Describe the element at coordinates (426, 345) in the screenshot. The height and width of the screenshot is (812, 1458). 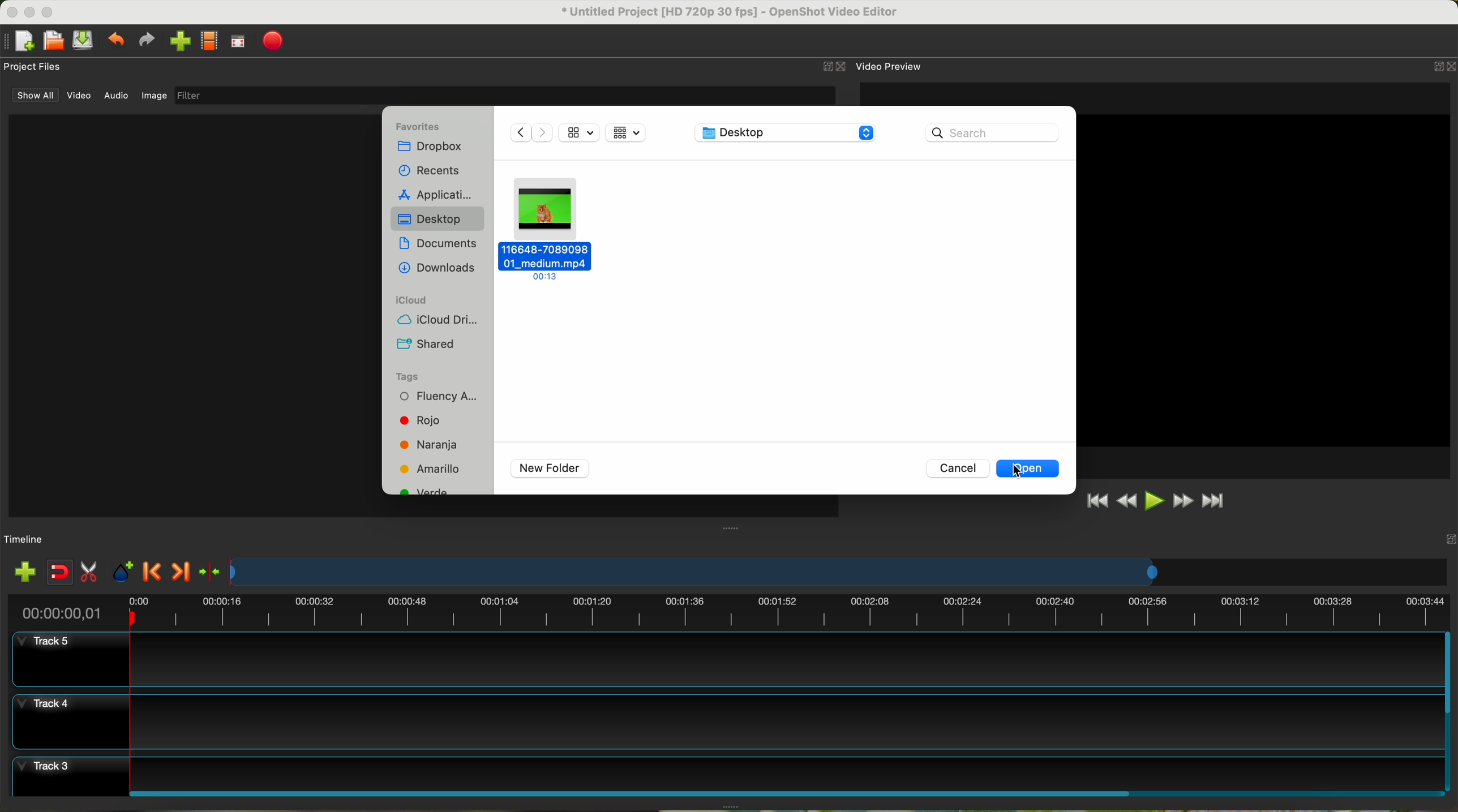
I see `shared` at that location.